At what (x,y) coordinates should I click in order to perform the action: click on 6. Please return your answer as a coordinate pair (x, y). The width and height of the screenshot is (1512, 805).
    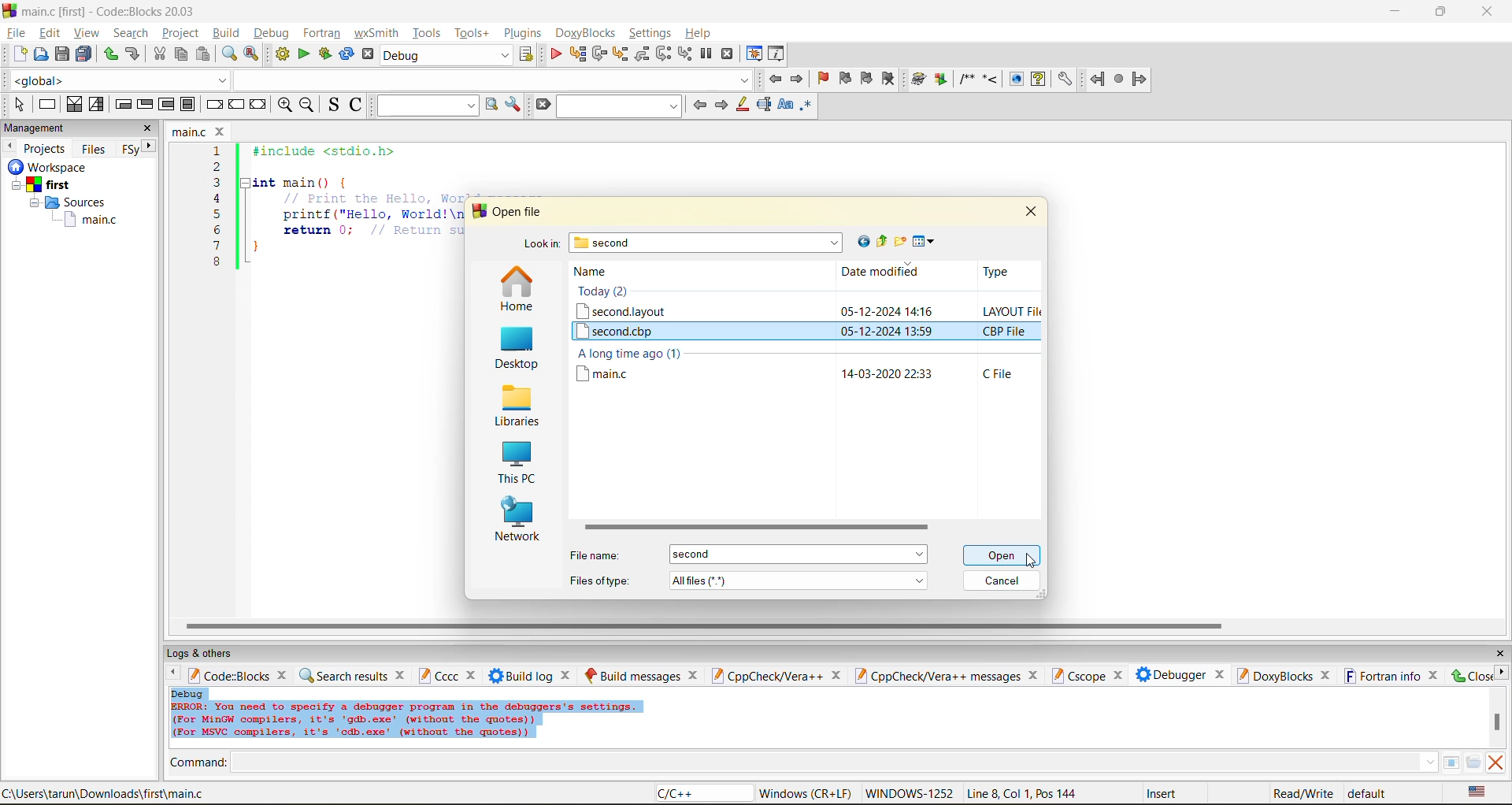
    Looking at the image, I should click on (217, 229).